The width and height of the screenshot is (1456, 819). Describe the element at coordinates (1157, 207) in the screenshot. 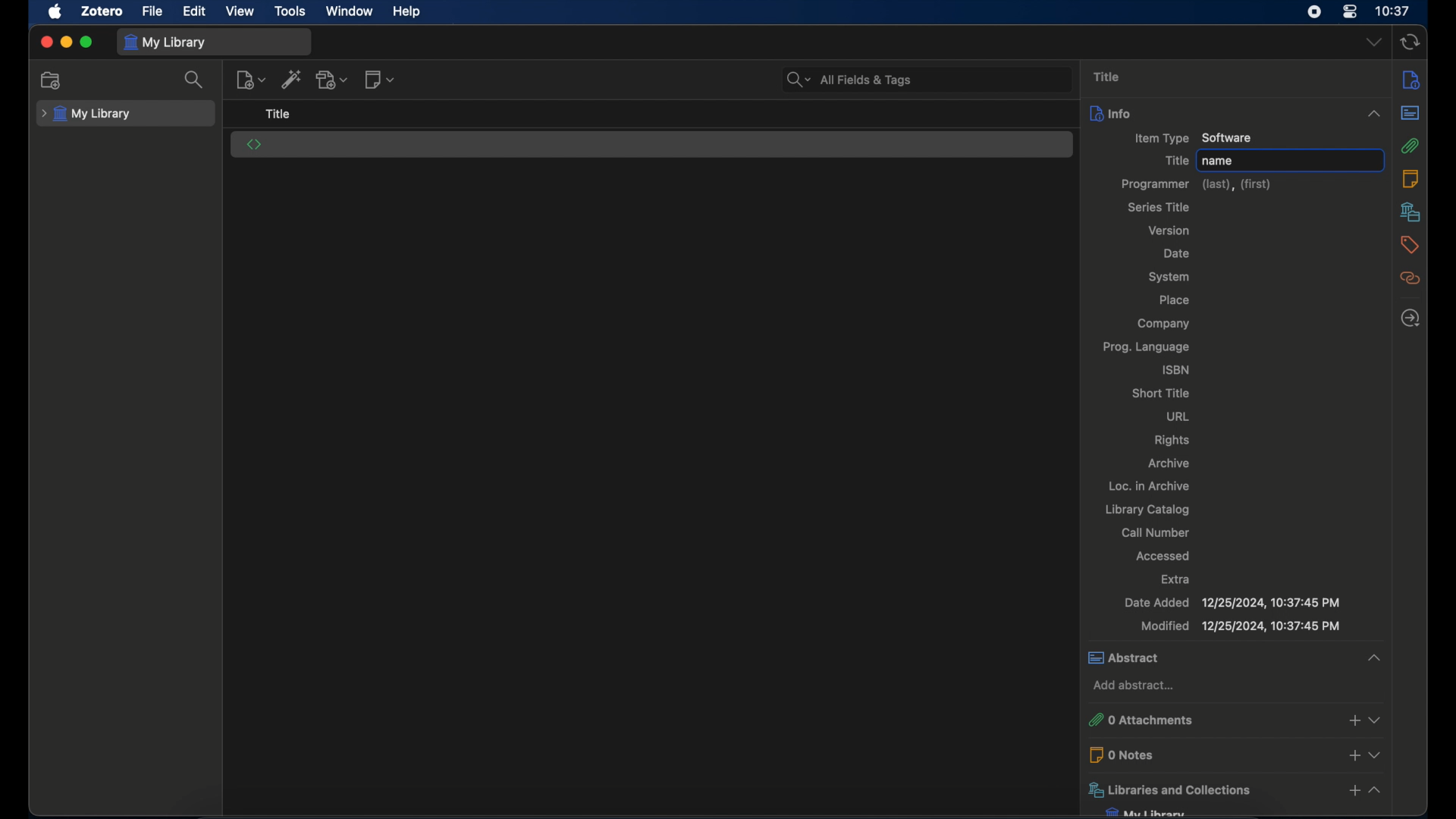

I see `series title ` at that location.